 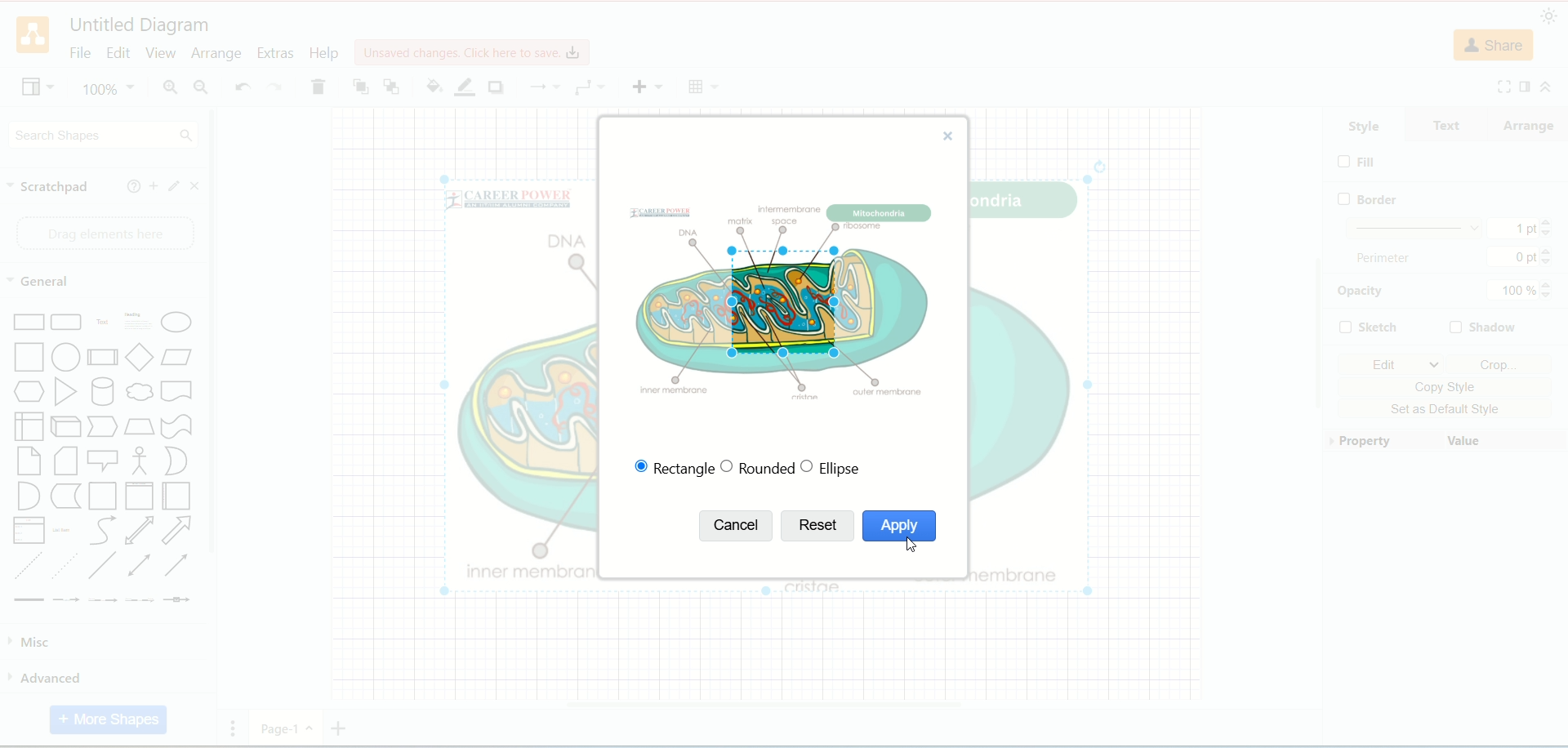 What do you see at coordinates (1365, 124) in the screenshot?
I see `style` at bounding box center [1365, 124].